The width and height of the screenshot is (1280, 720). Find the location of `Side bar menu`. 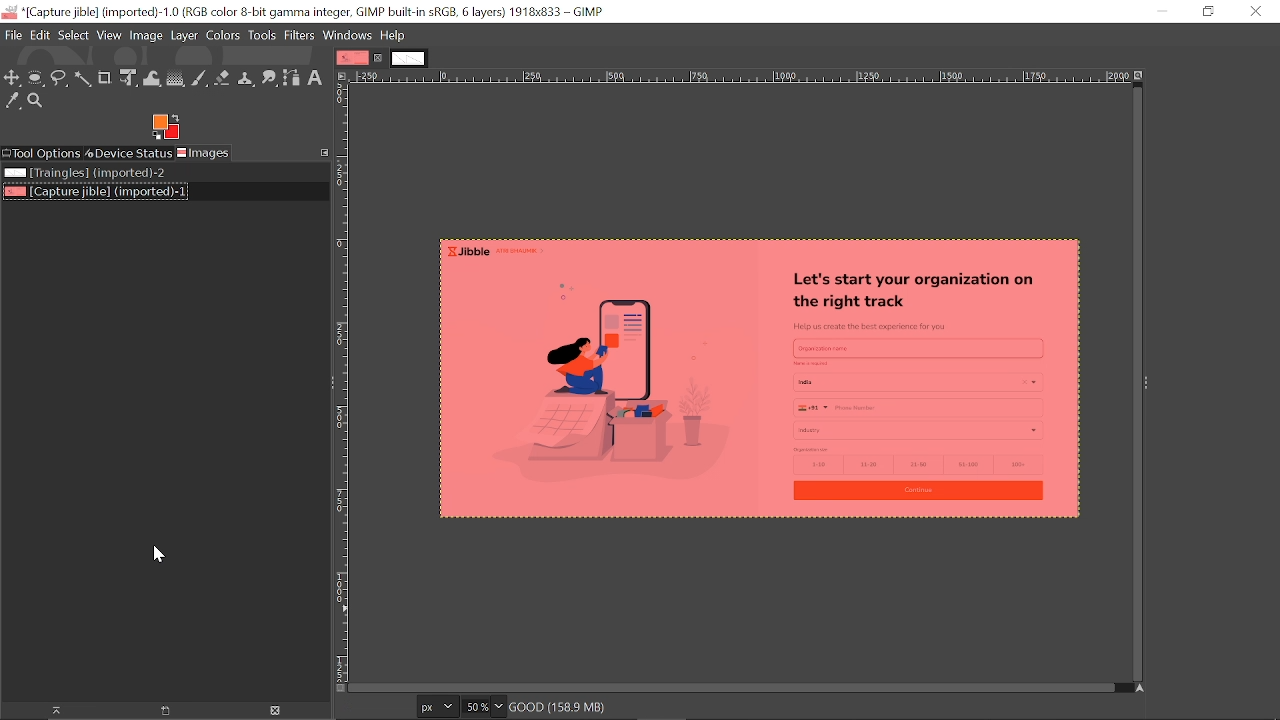

Side bar menu is located at coordinates (1148, 383).